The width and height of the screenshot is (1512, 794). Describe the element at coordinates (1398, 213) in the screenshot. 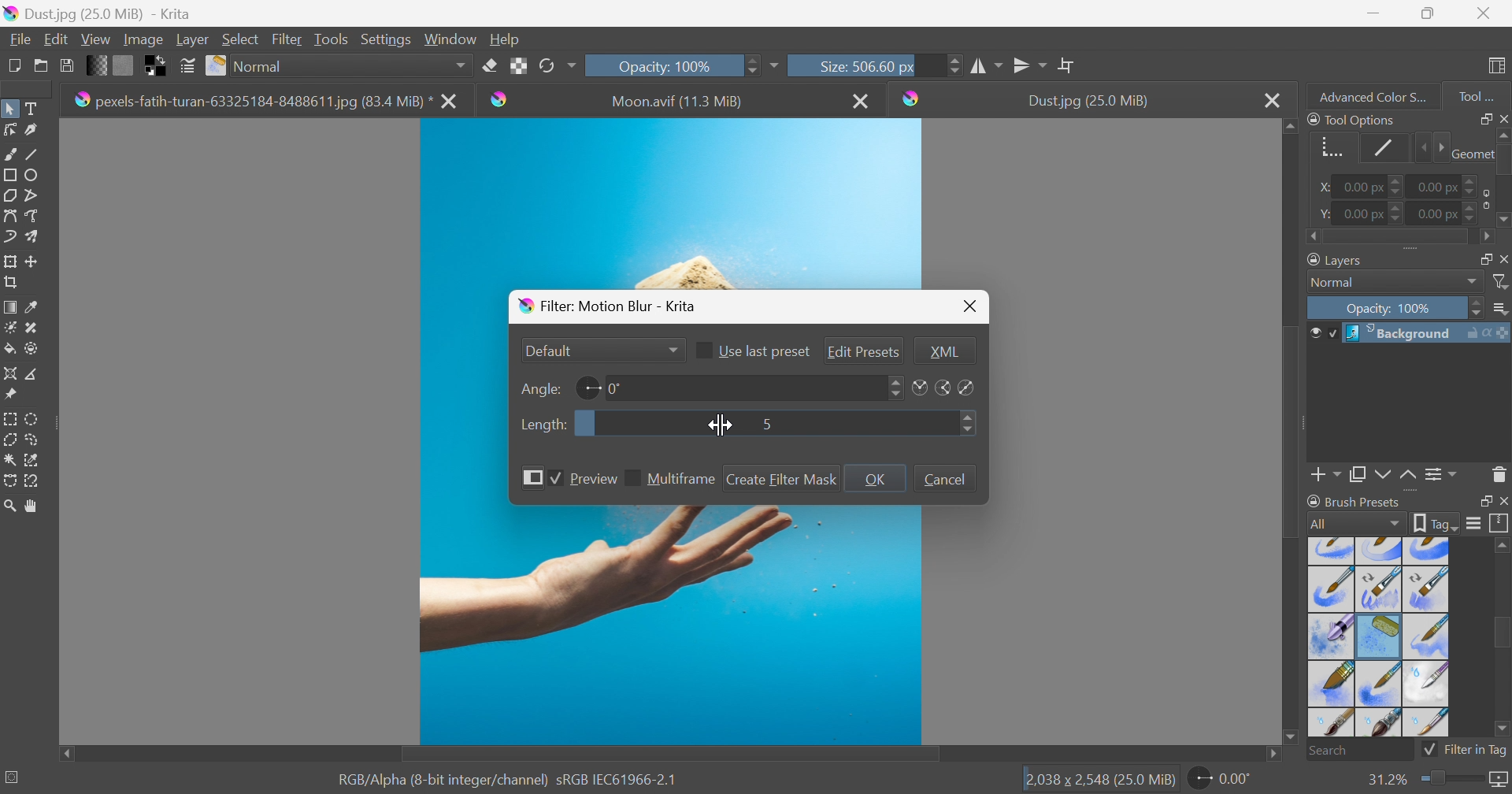

I see `Slider` at that location.